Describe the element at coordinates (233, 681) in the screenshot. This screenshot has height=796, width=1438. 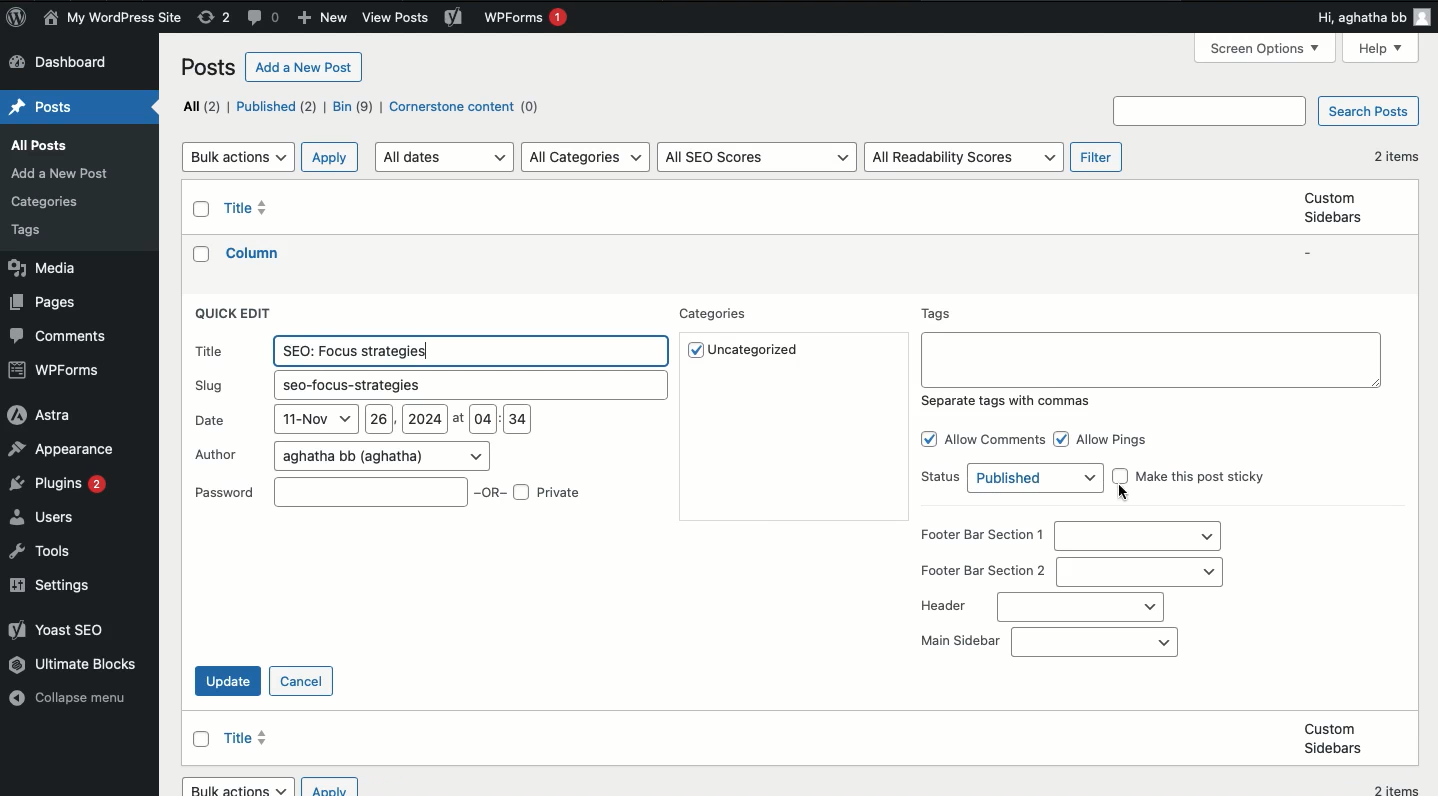
I see `Update` at that location.